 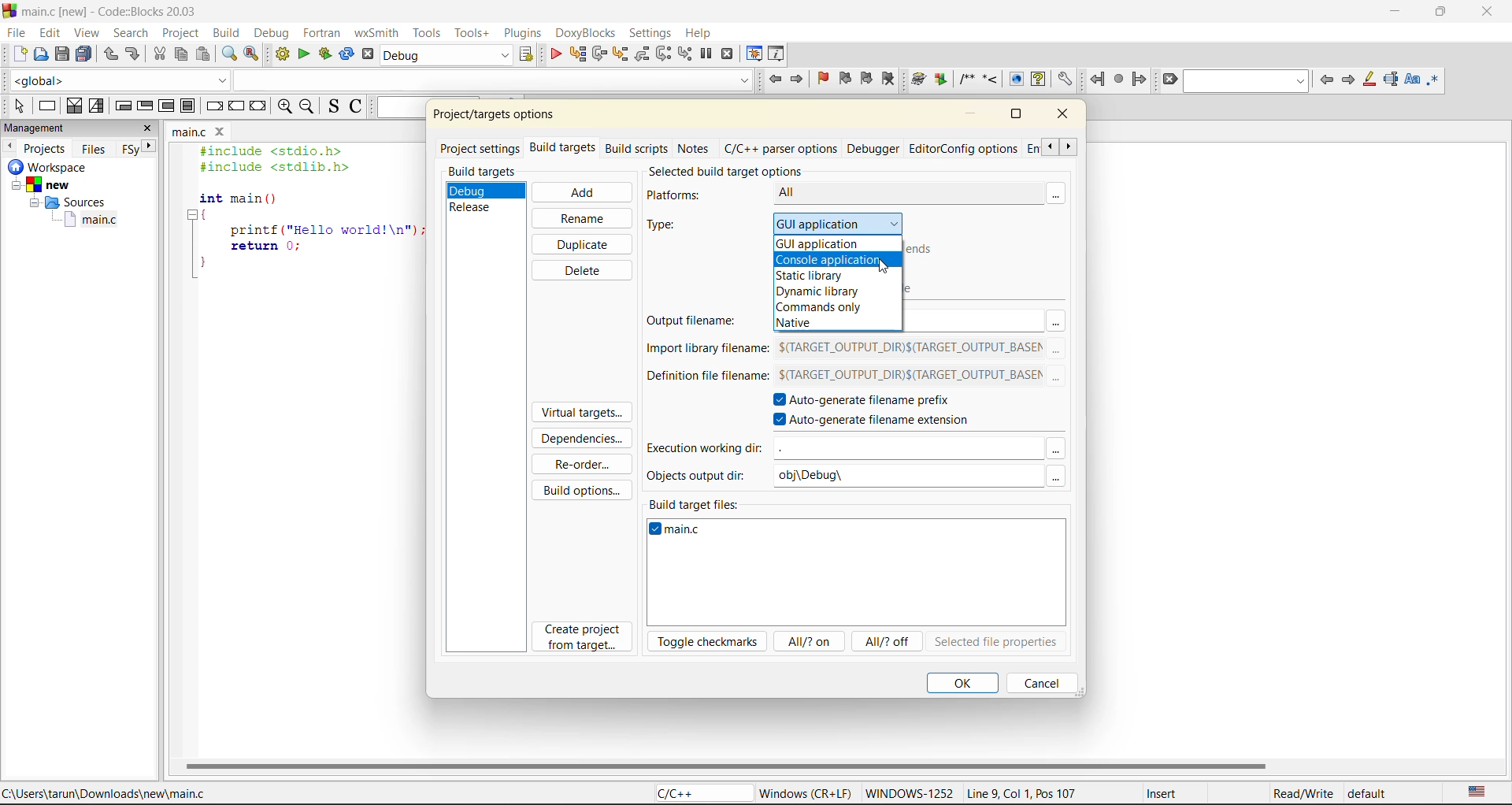 I want to click on debug, so click(x=276, y=35).